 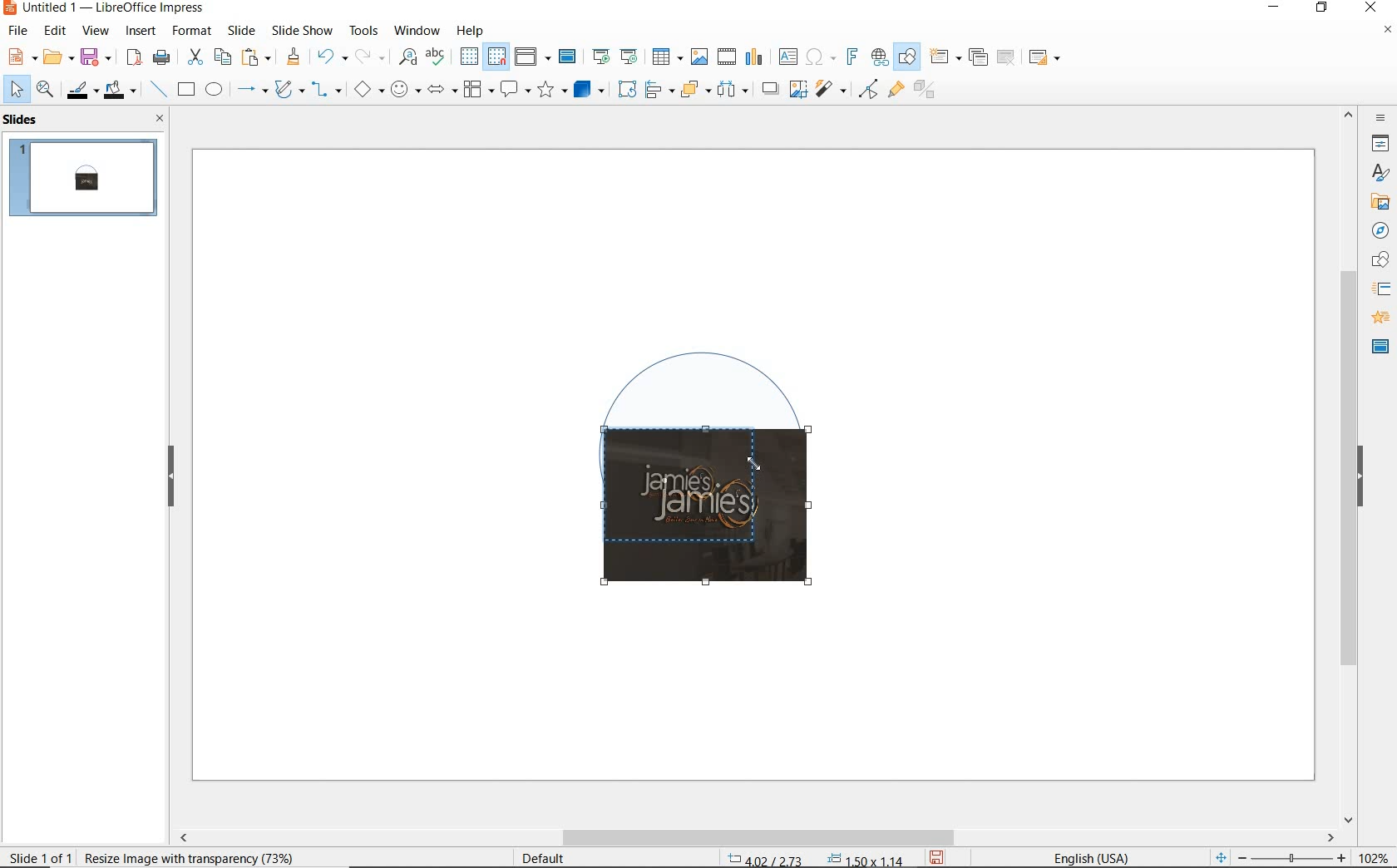 I want to click on format, so click(x=190, y=30).